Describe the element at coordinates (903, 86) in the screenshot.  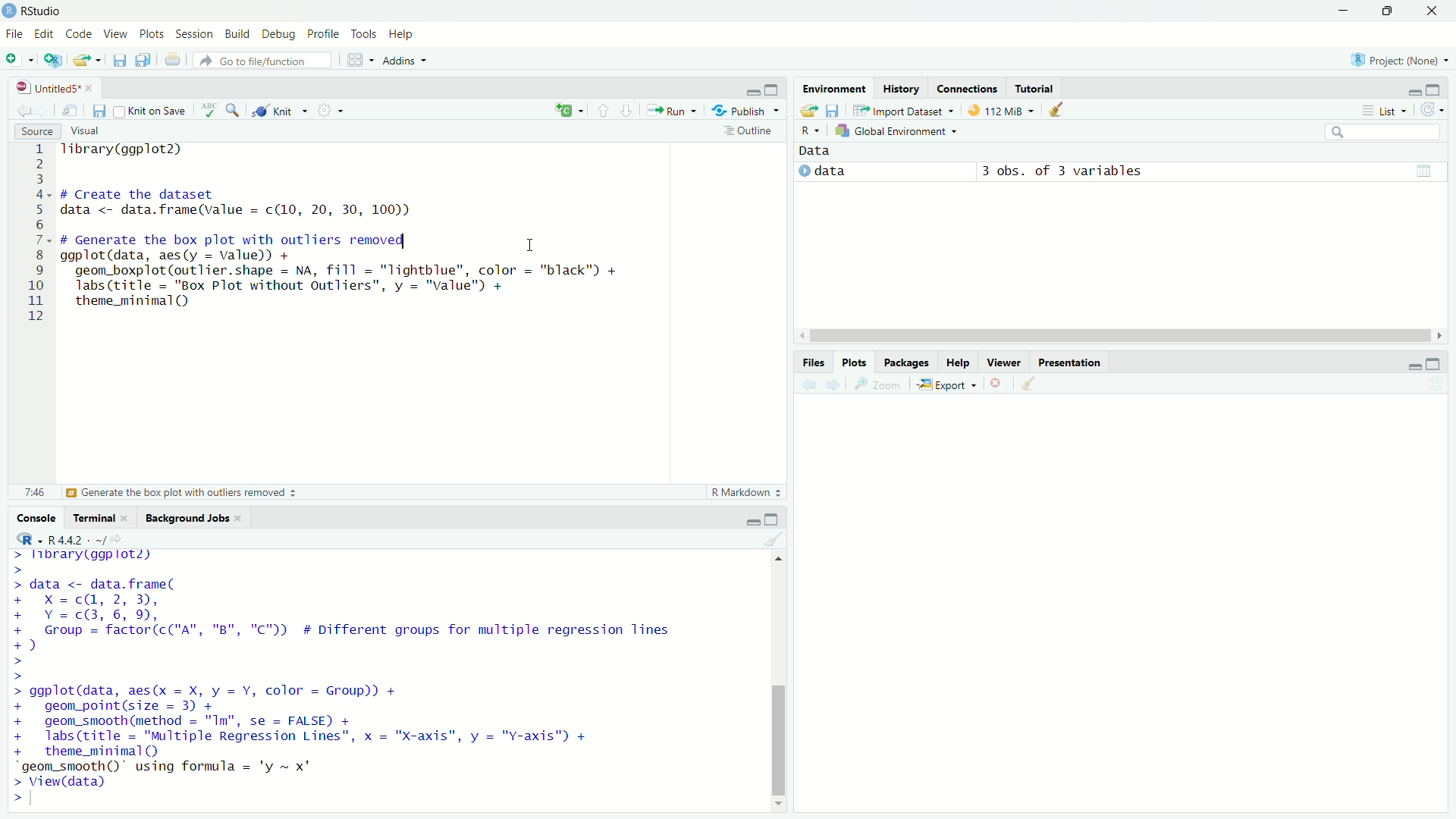
I see `History` at that location.